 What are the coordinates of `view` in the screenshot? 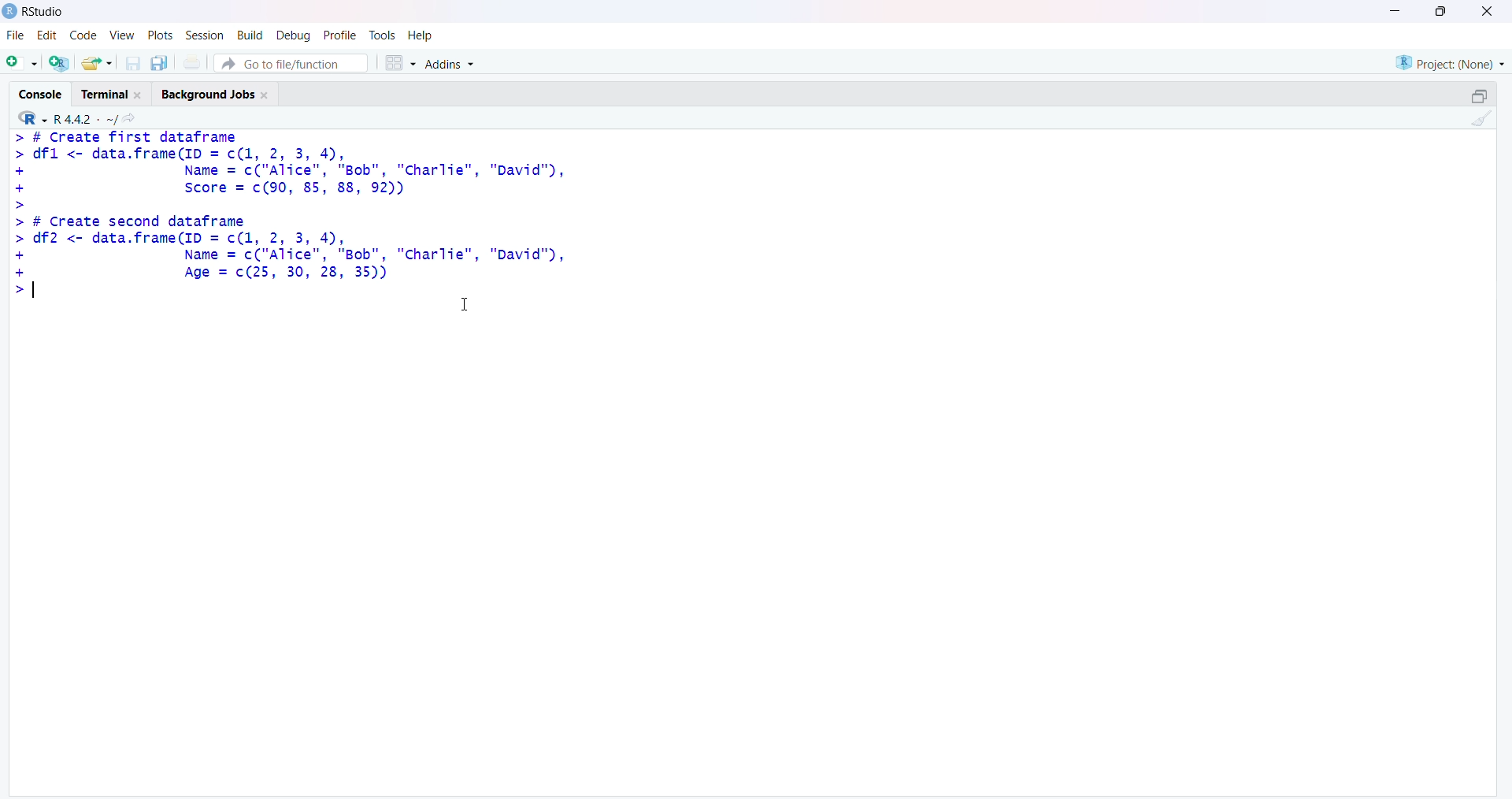 It's located at (123, 36).